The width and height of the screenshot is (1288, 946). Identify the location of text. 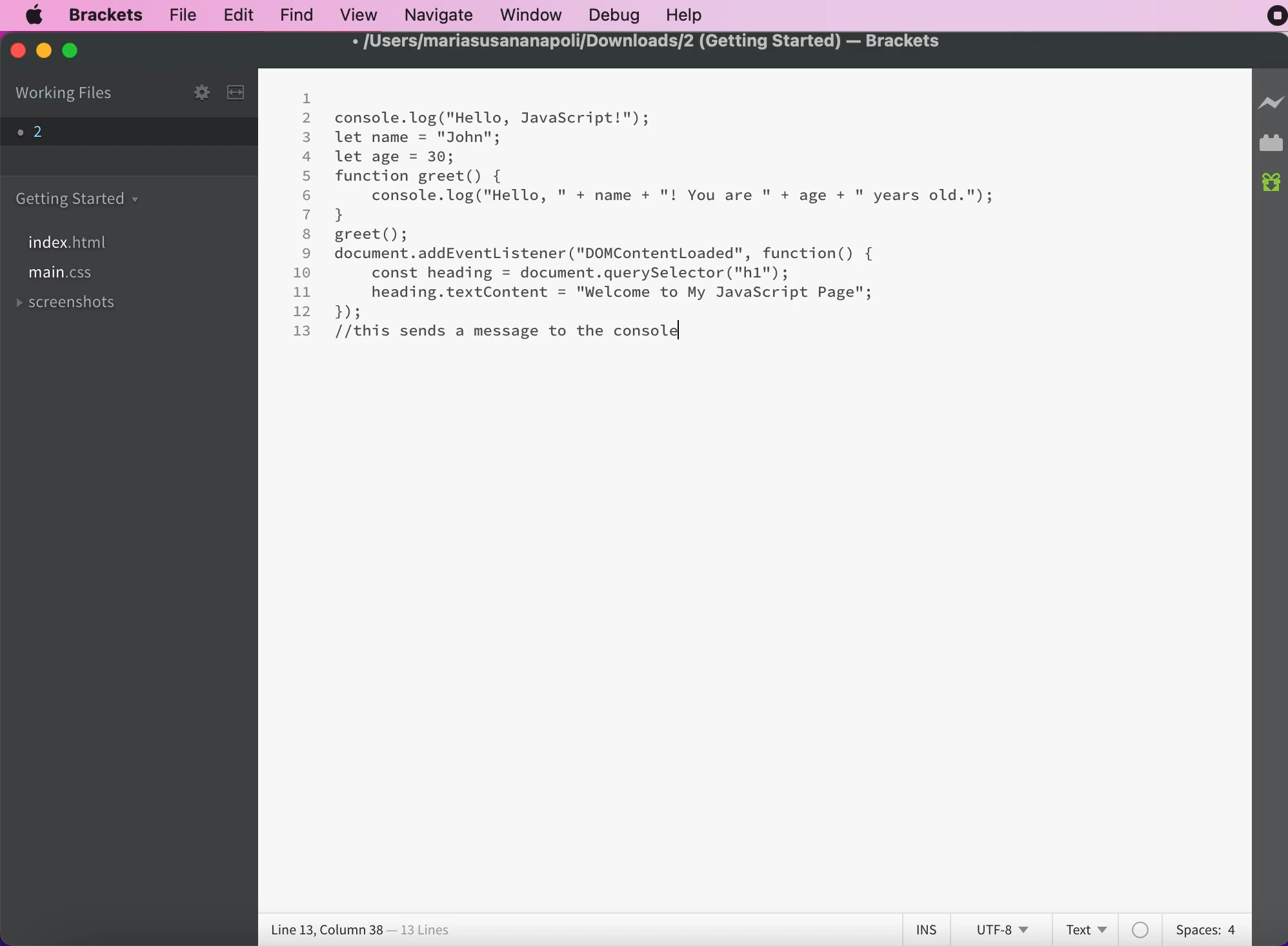
(1086, 928).